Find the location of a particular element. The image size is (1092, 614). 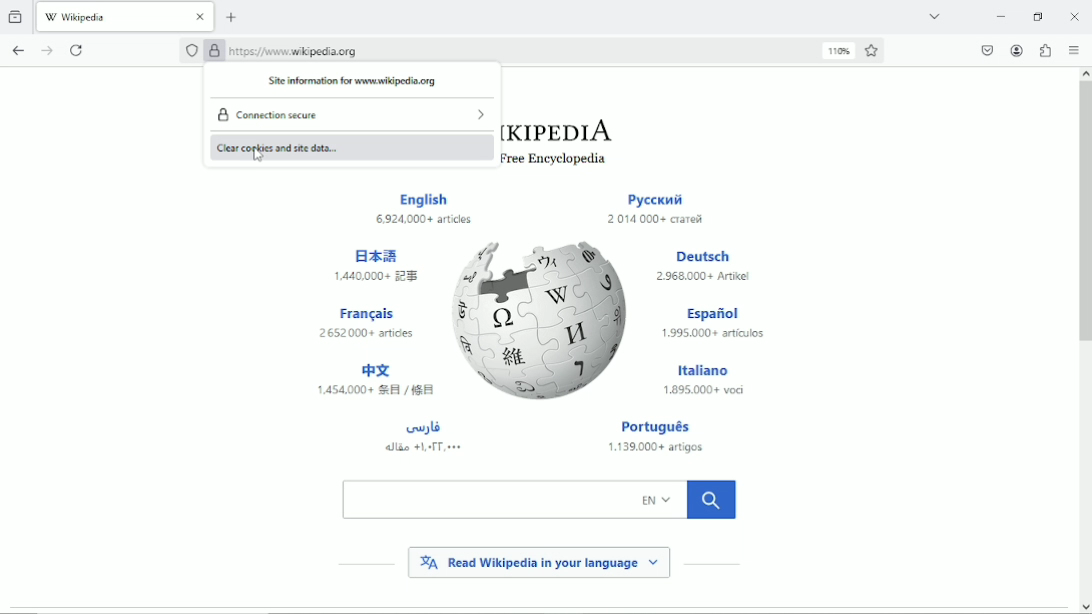

Italiano1895.000+ articles is located at coordinates (704, 377).